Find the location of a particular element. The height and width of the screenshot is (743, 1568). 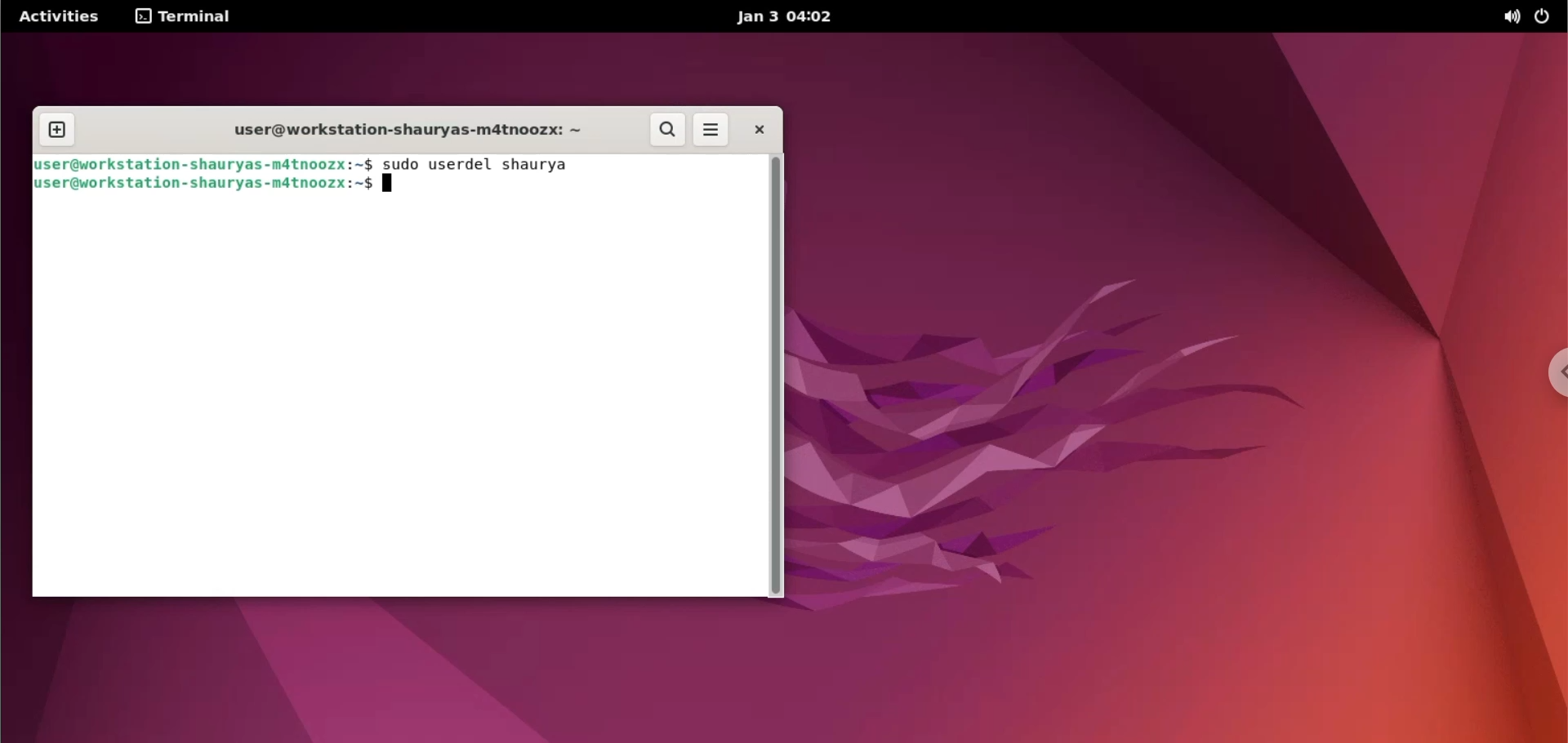

close is located at coordinates (761, 130).